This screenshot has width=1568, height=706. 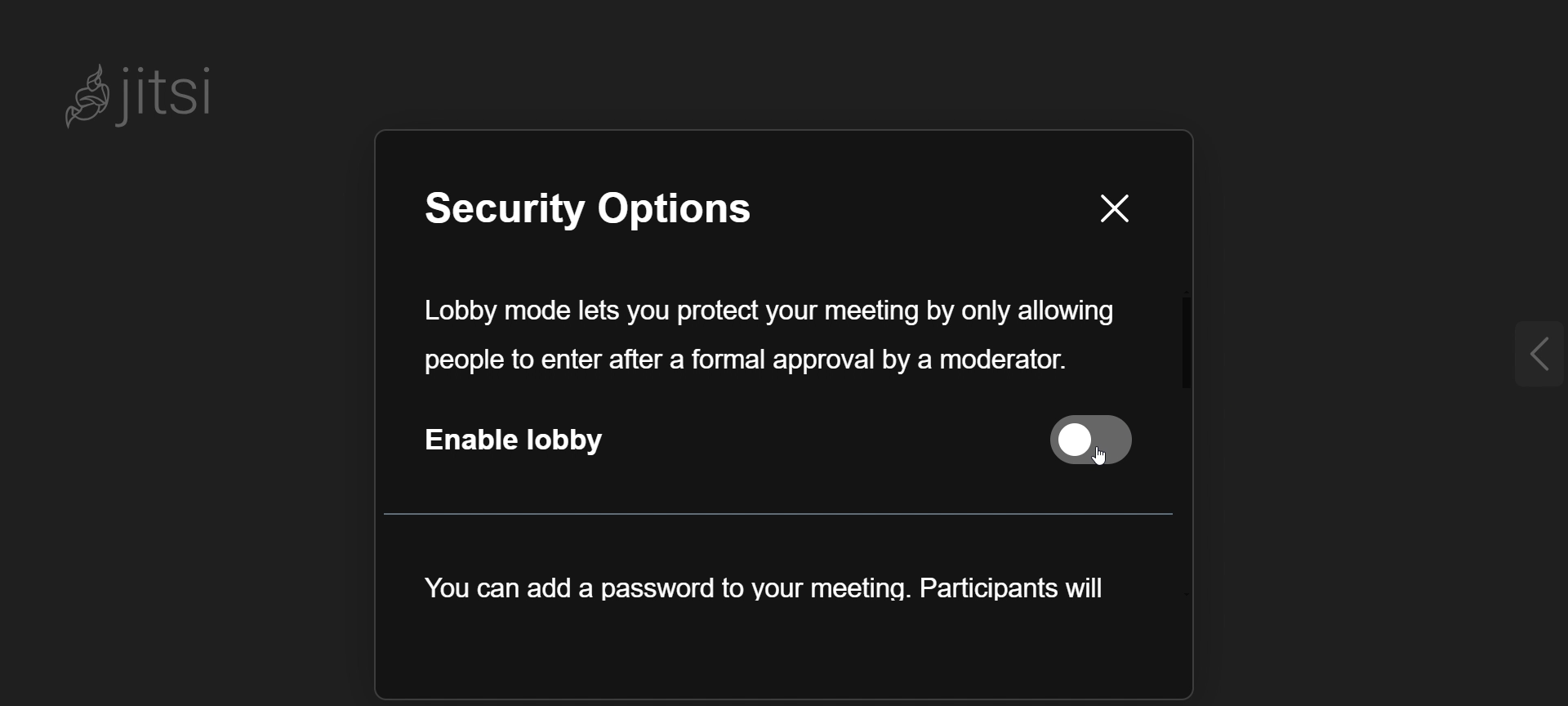 What do you see at coordinates (768, 335) in the screenshot?
I see `Lobby mode lets you protect your meeting by only allowing
people to enter after a formal approval by a moderator.` at bounding box center [768, 335].